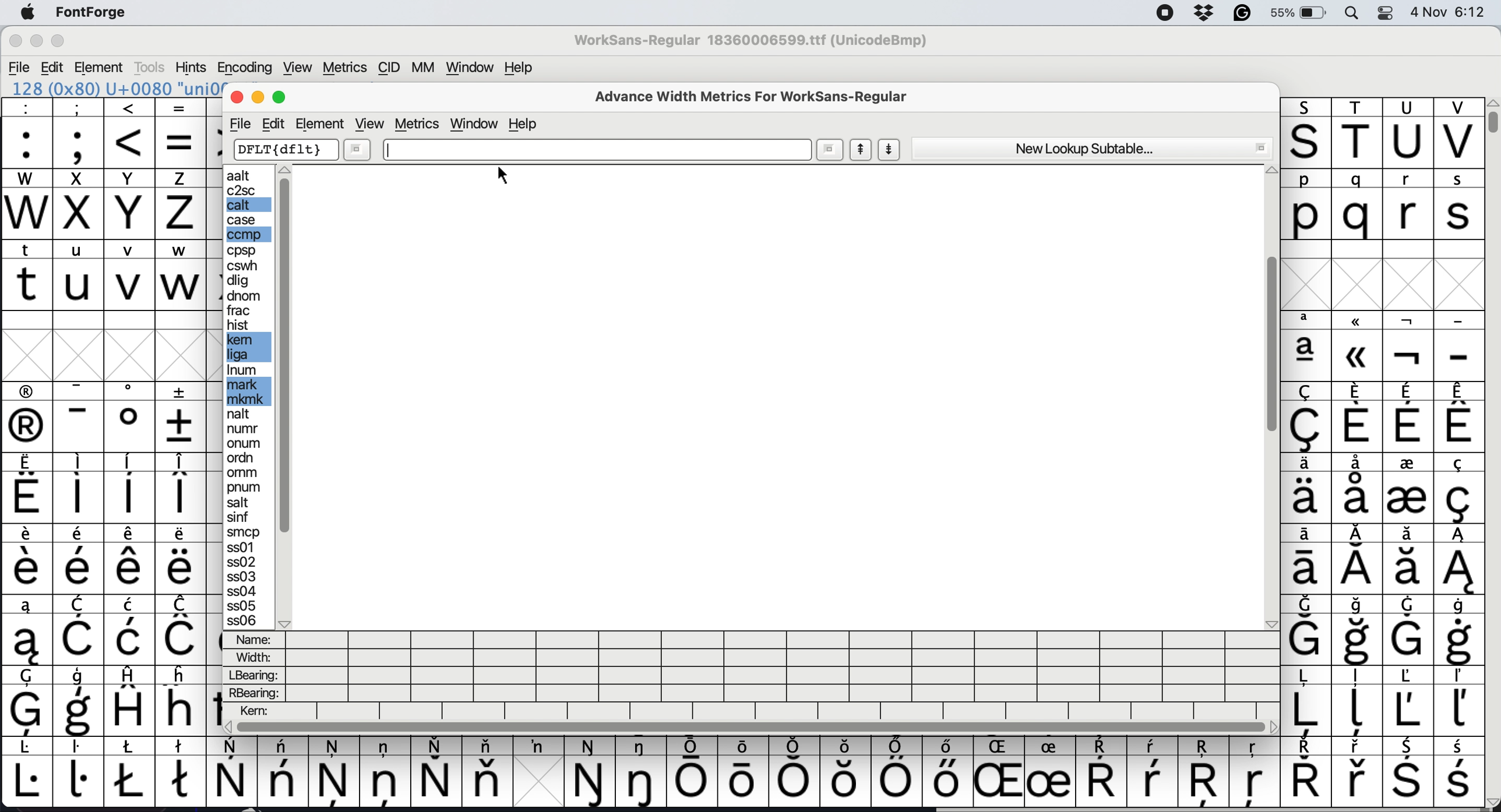 Image resolution: width=1501 pixels, height=812 pixels. What do you see at coordinates (288, 355) in the screenshot?
I see `sidebar vertical scroll bar` at bounding box center [288, 355].